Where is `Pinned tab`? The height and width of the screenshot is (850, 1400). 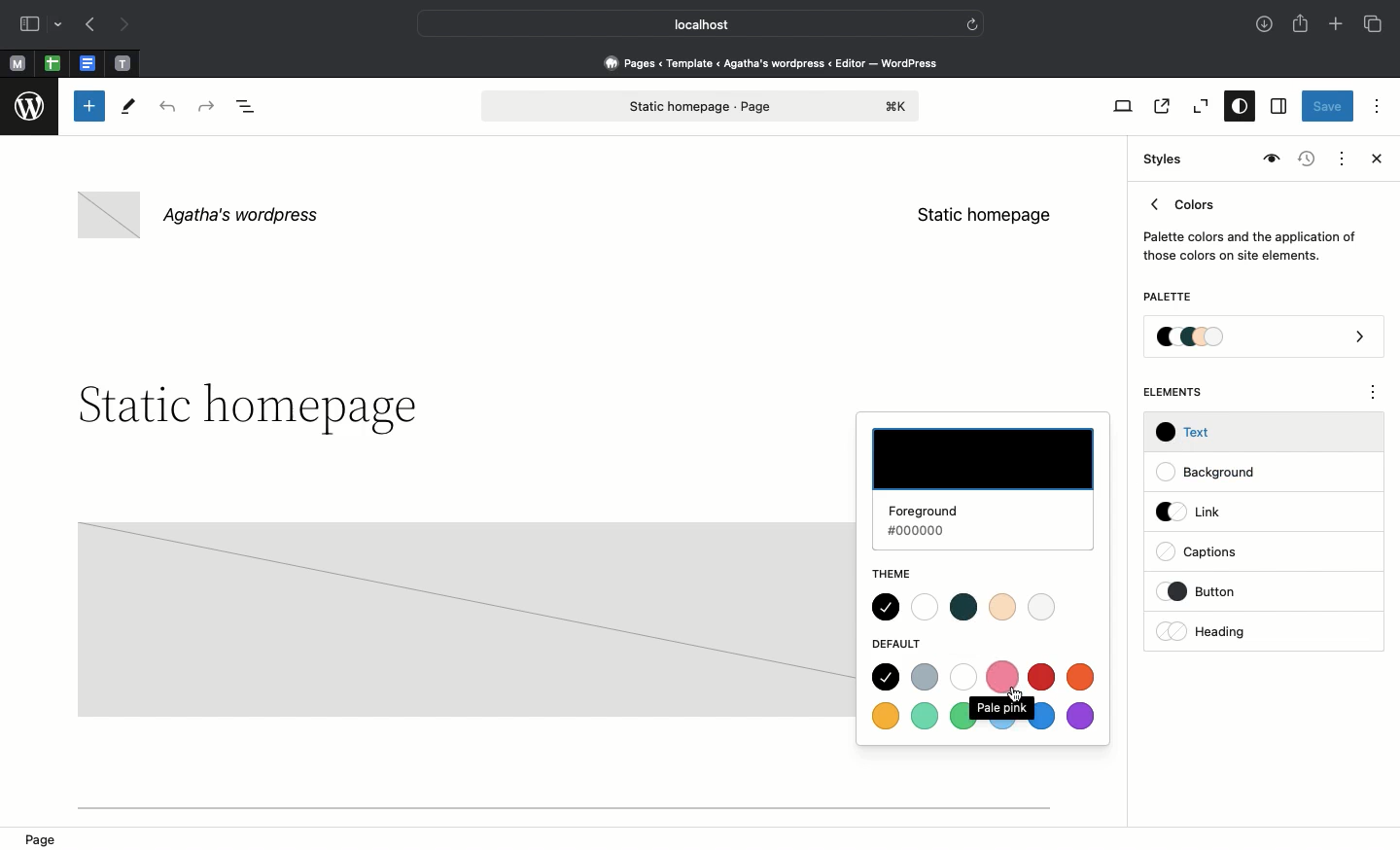 Pinned tab is located at coordinates (89, 64).